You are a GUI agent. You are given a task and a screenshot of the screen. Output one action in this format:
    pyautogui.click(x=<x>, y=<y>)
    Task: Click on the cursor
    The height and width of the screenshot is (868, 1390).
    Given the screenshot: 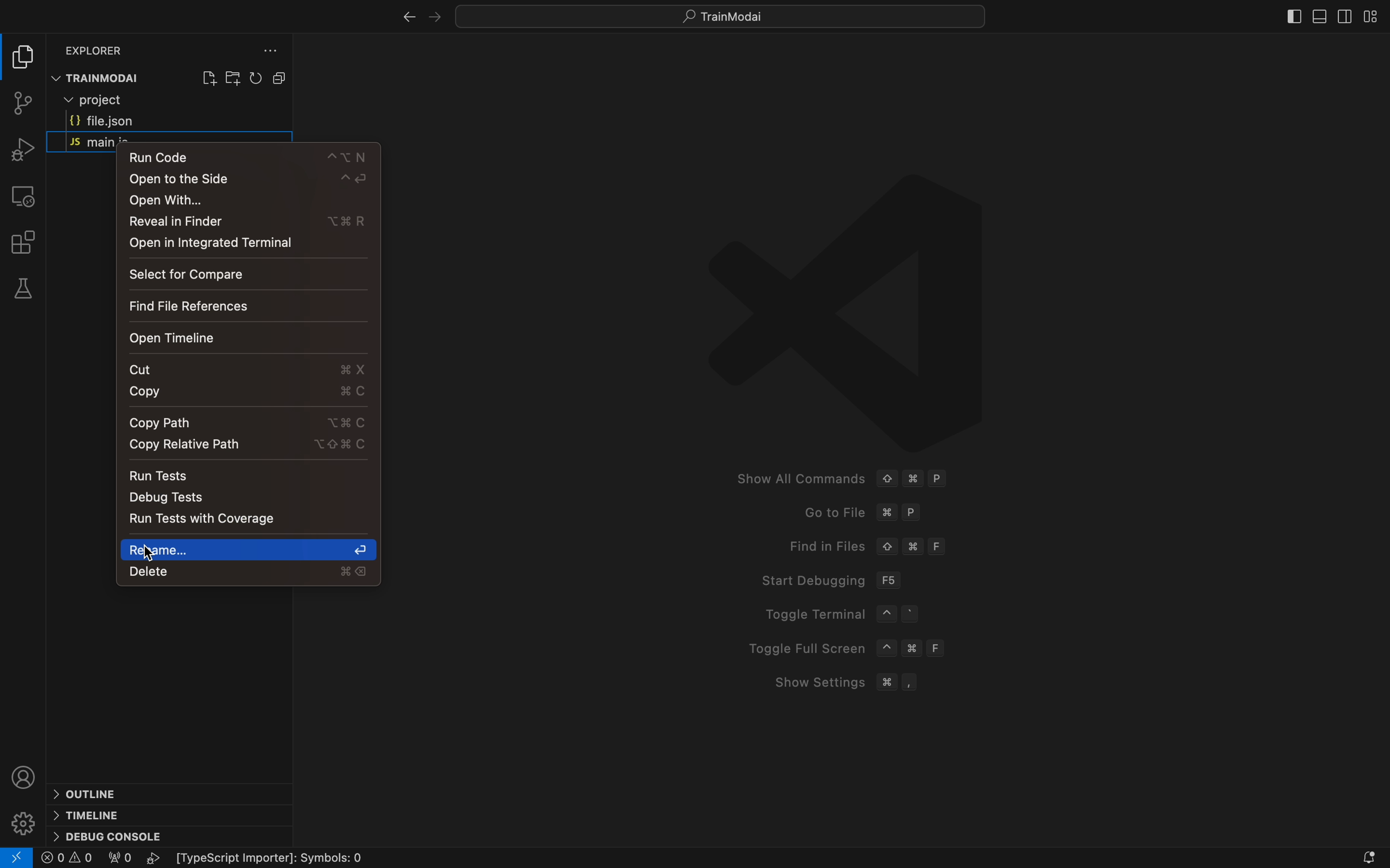 What is the action you would take?
    pyautogui.click(x=146, y=552)
    